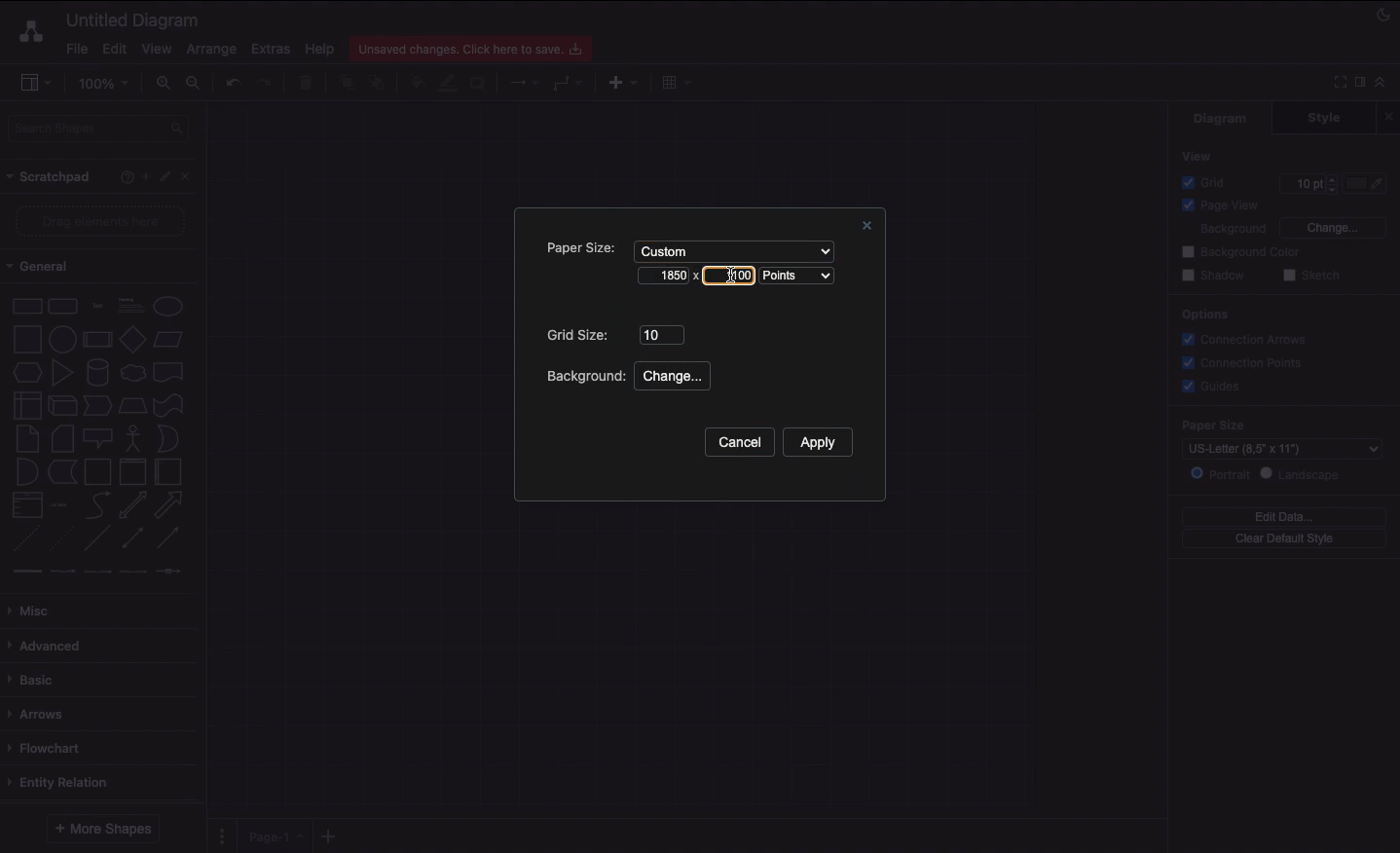 This screenshot has height=853, width=1400. Describe the element at coordinates (271, 48) in the screenshot. I see `Extras` at that location.